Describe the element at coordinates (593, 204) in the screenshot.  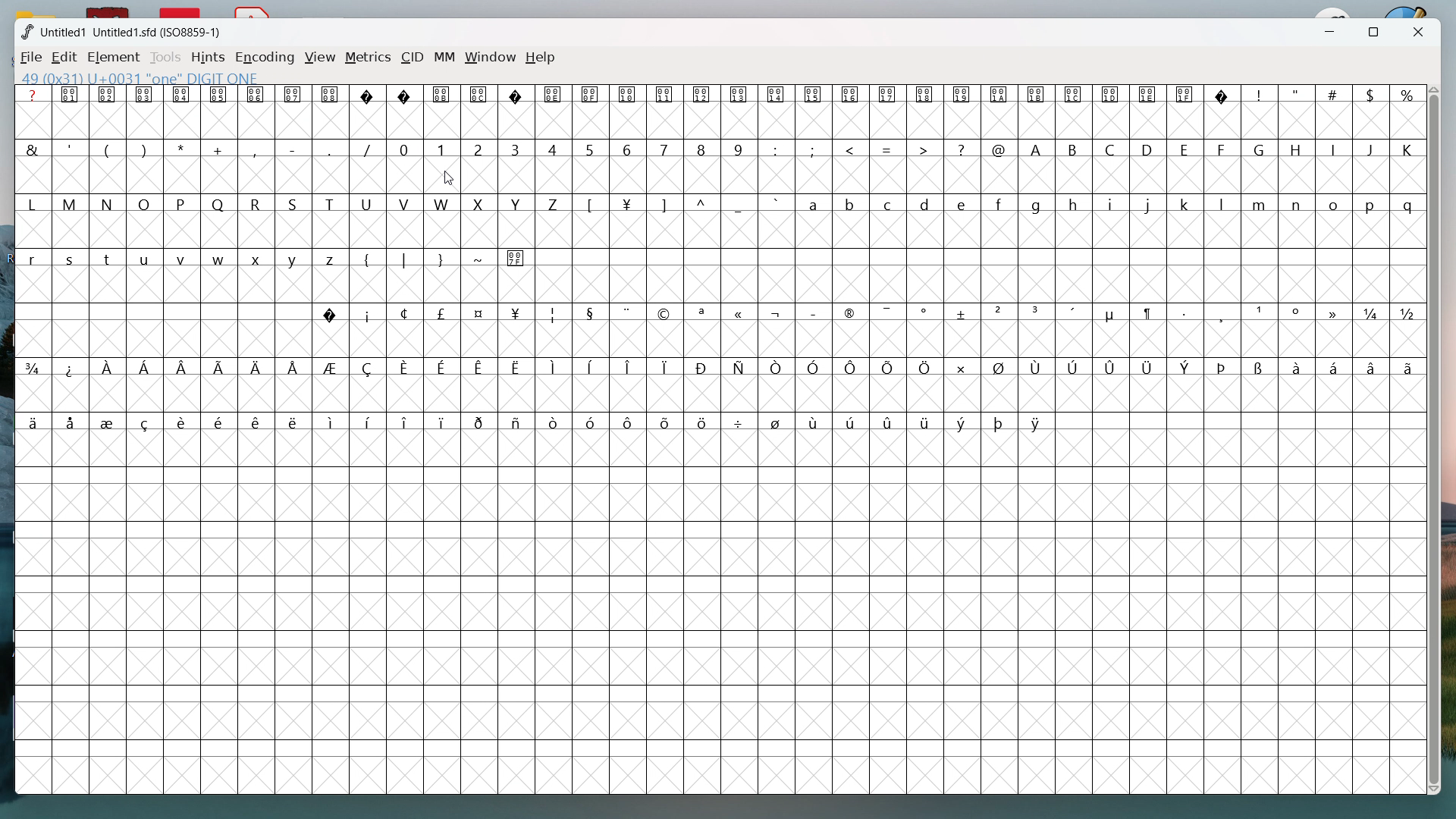
I see `[` at that location.